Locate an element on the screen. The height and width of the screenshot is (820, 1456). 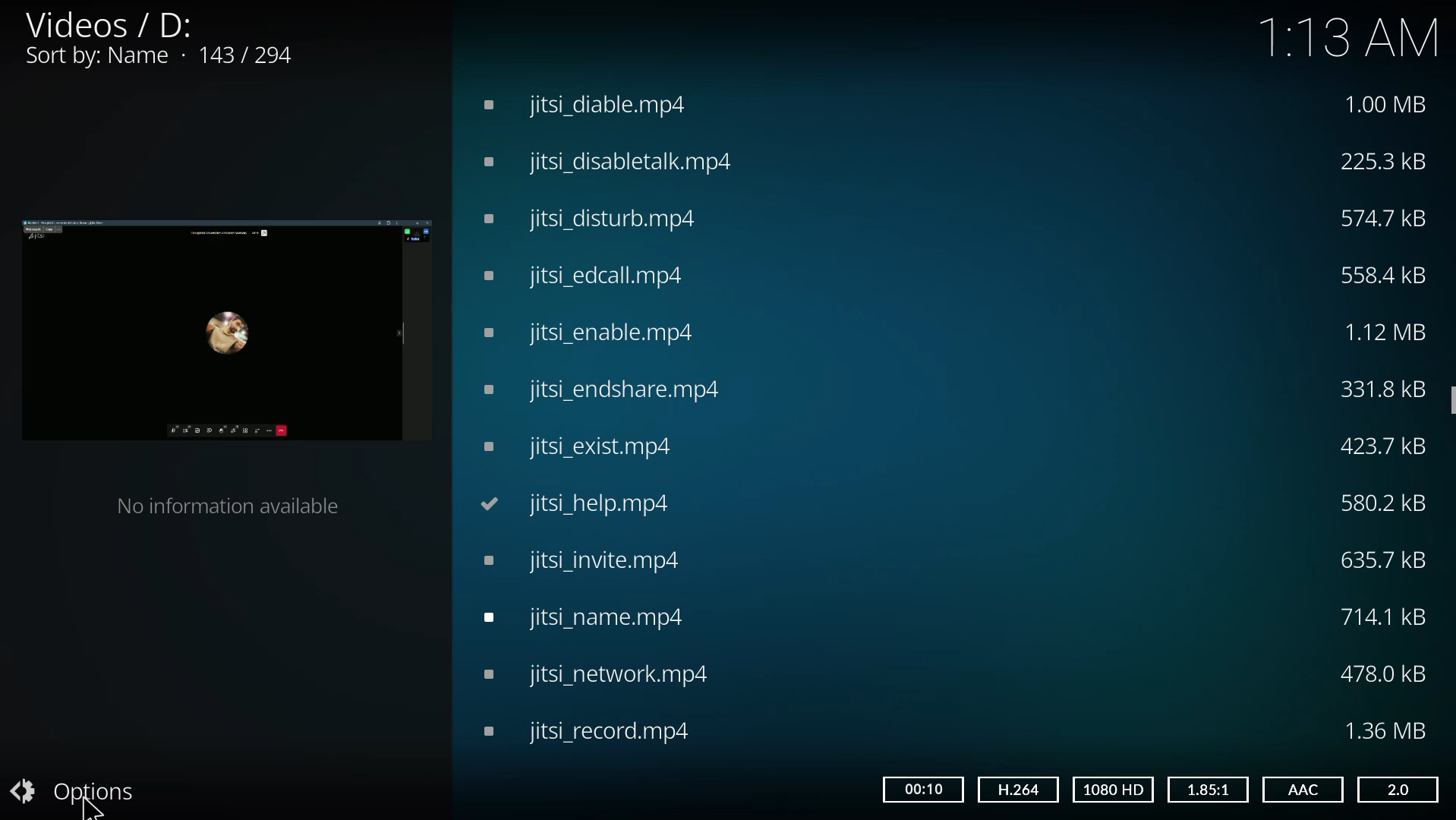
size is located at coordinates (1388, 674).